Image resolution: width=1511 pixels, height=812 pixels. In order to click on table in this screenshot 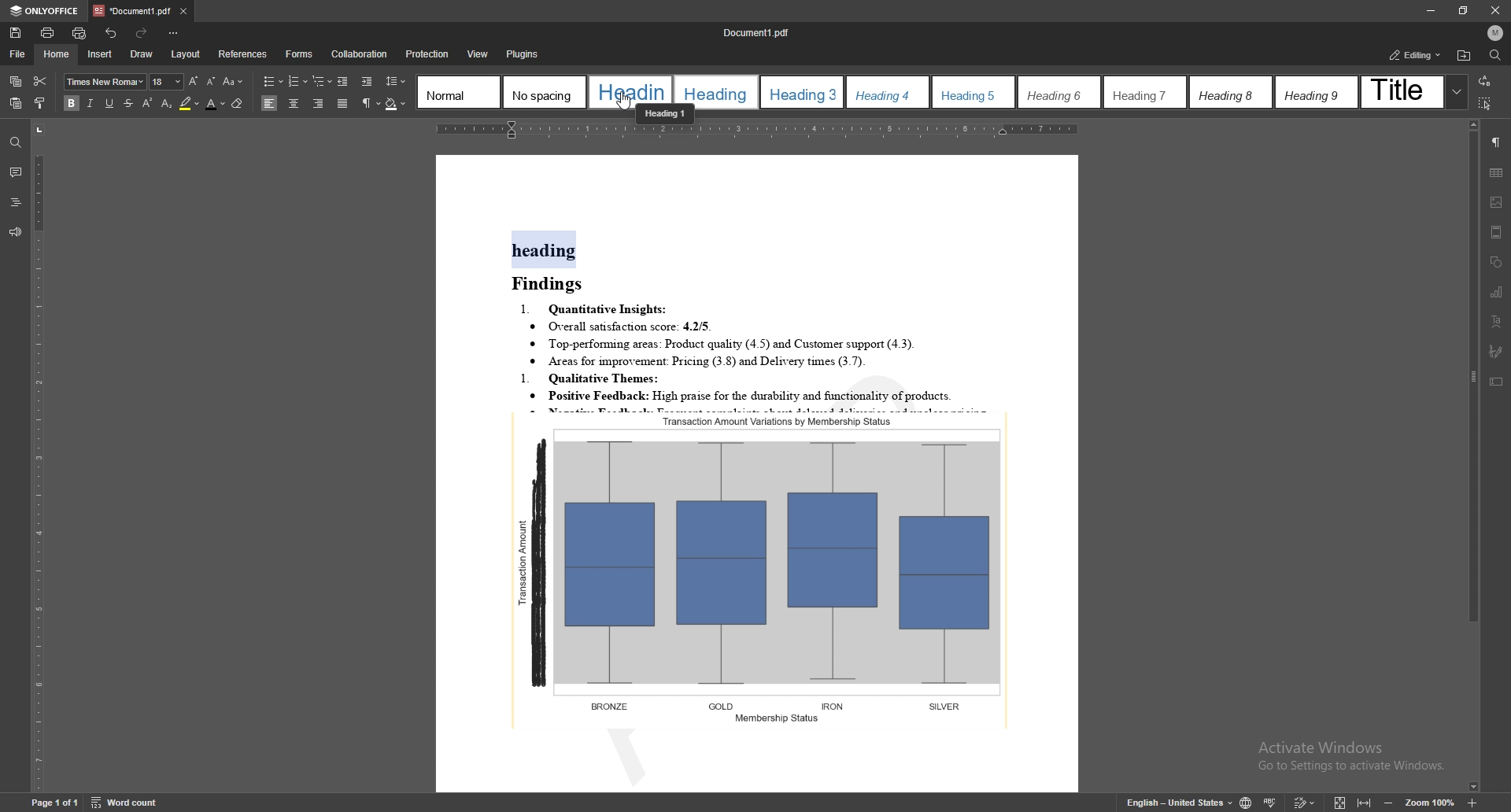, I will do `click(1497, 172)`.